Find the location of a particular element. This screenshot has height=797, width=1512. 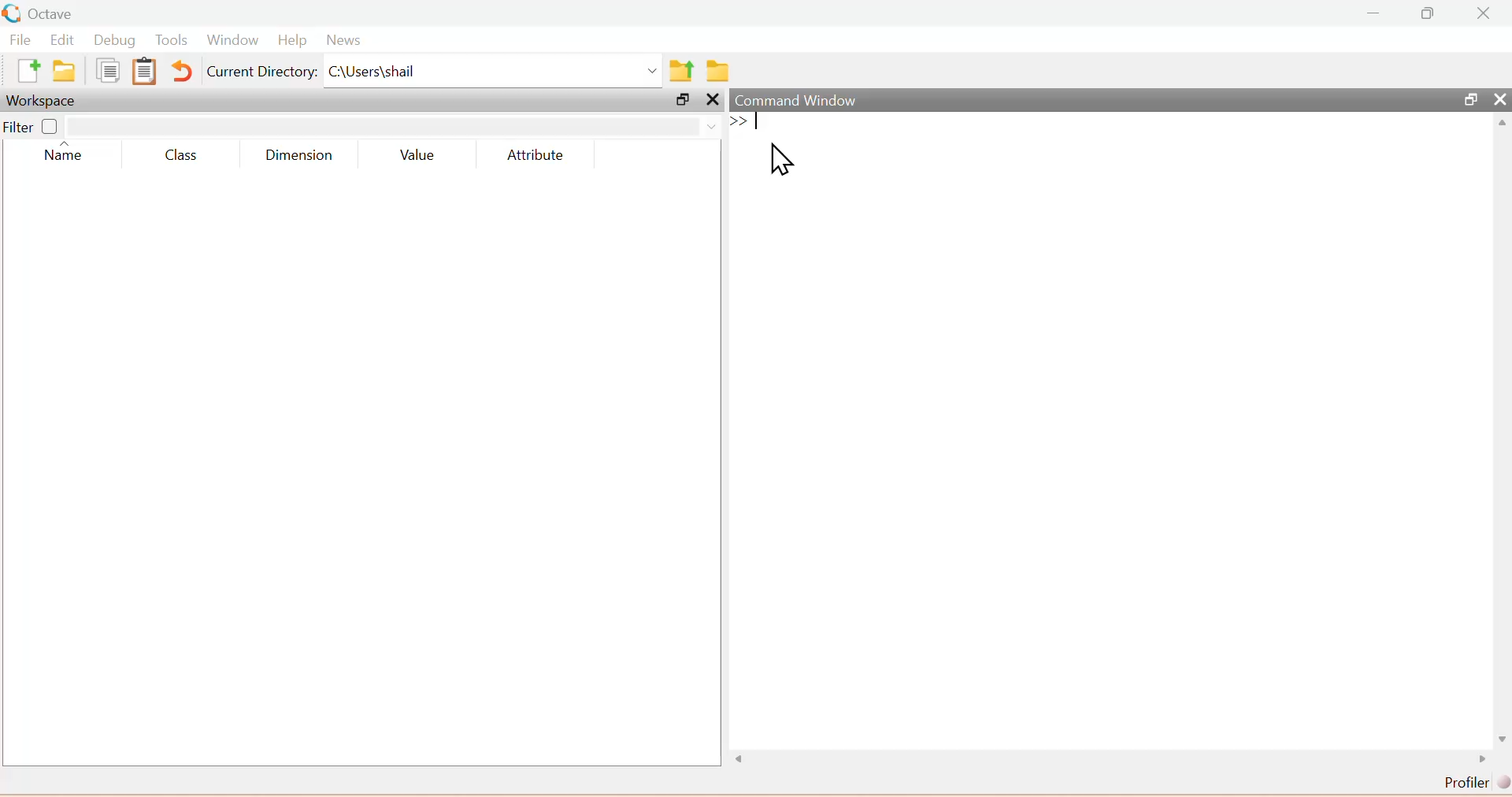

Octave is located at coordinates (57, 13).